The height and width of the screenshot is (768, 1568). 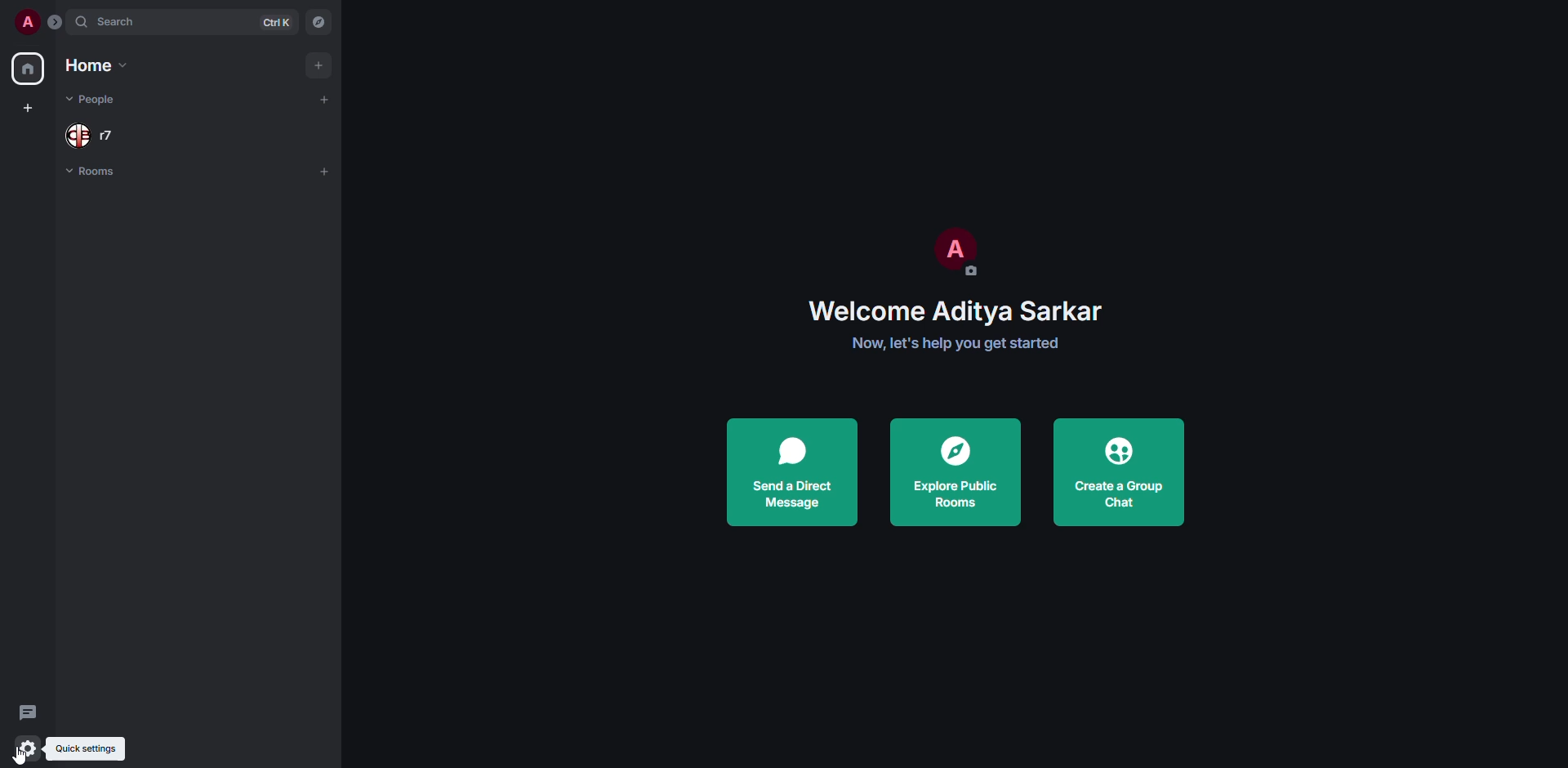 What do you see at coordinates (321, 23) in the screenshot?
I see `navigator` at bounding box center [321, 23].